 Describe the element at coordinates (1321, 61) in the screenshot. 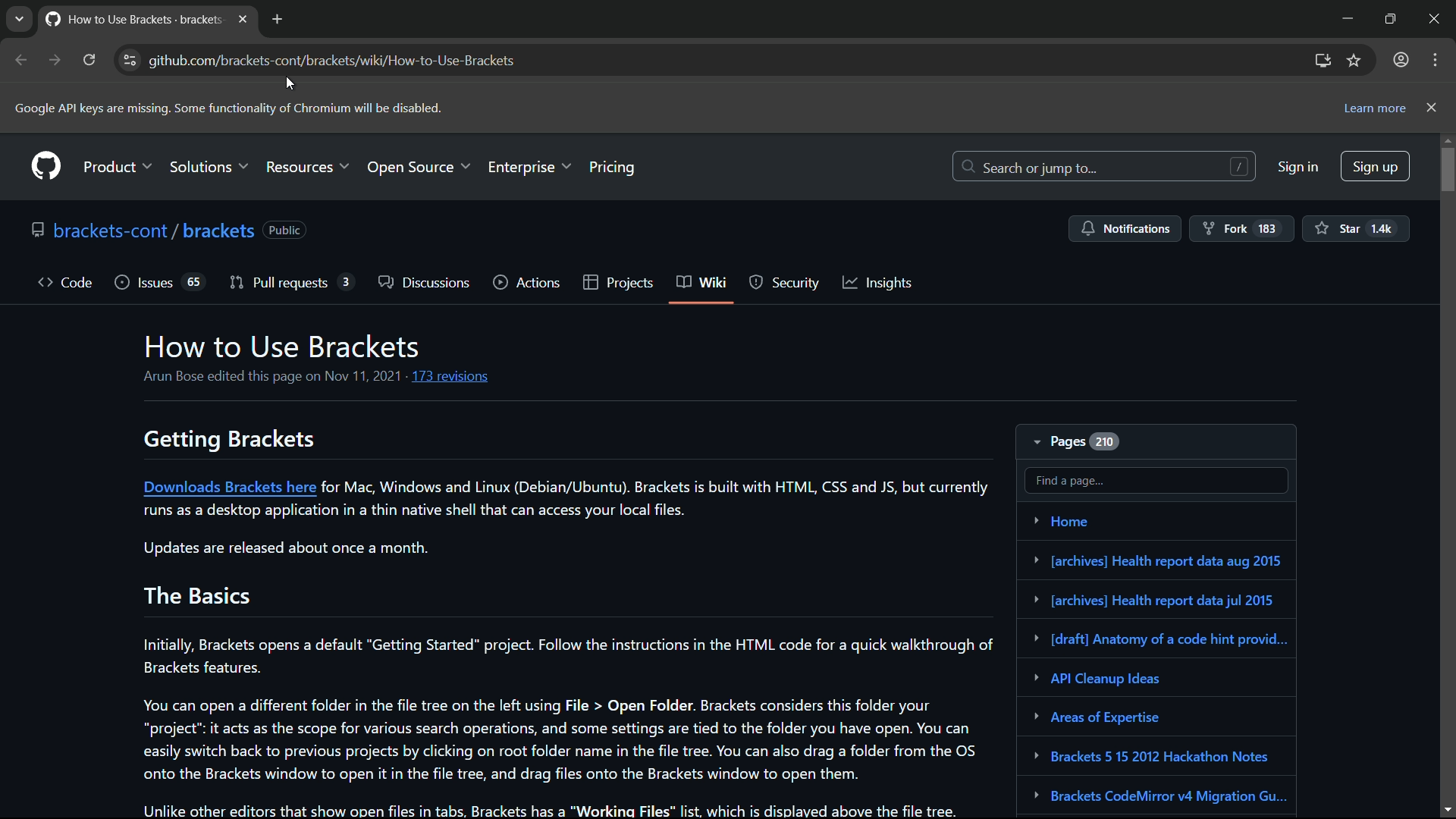

I see `install github` at that location.